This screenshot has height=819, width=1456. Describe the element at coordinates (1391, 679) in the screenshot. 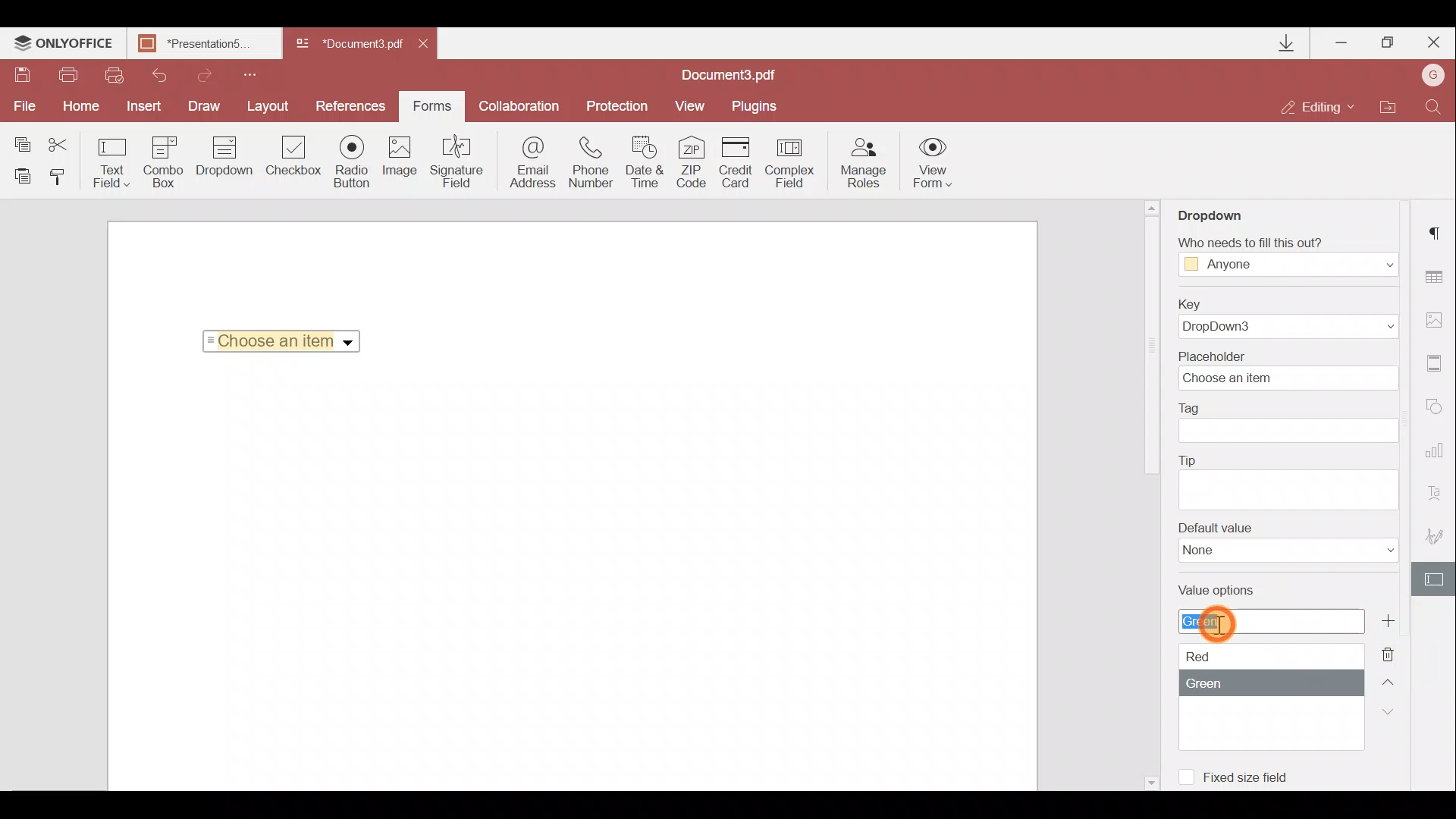

I see `Up` at that location.